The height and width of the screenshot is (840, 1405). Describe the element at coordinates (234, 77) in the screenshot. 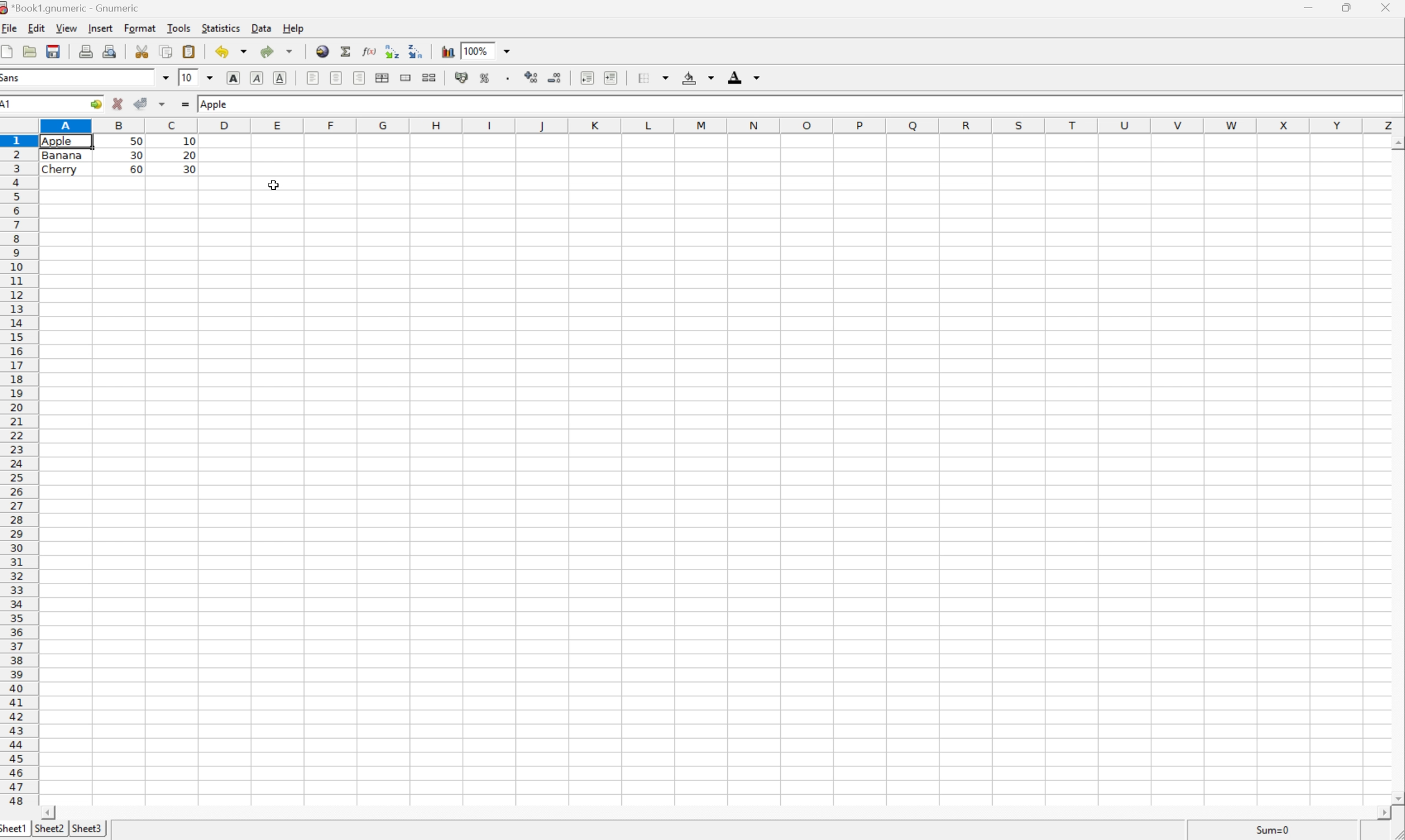

I see `bold` at that location.